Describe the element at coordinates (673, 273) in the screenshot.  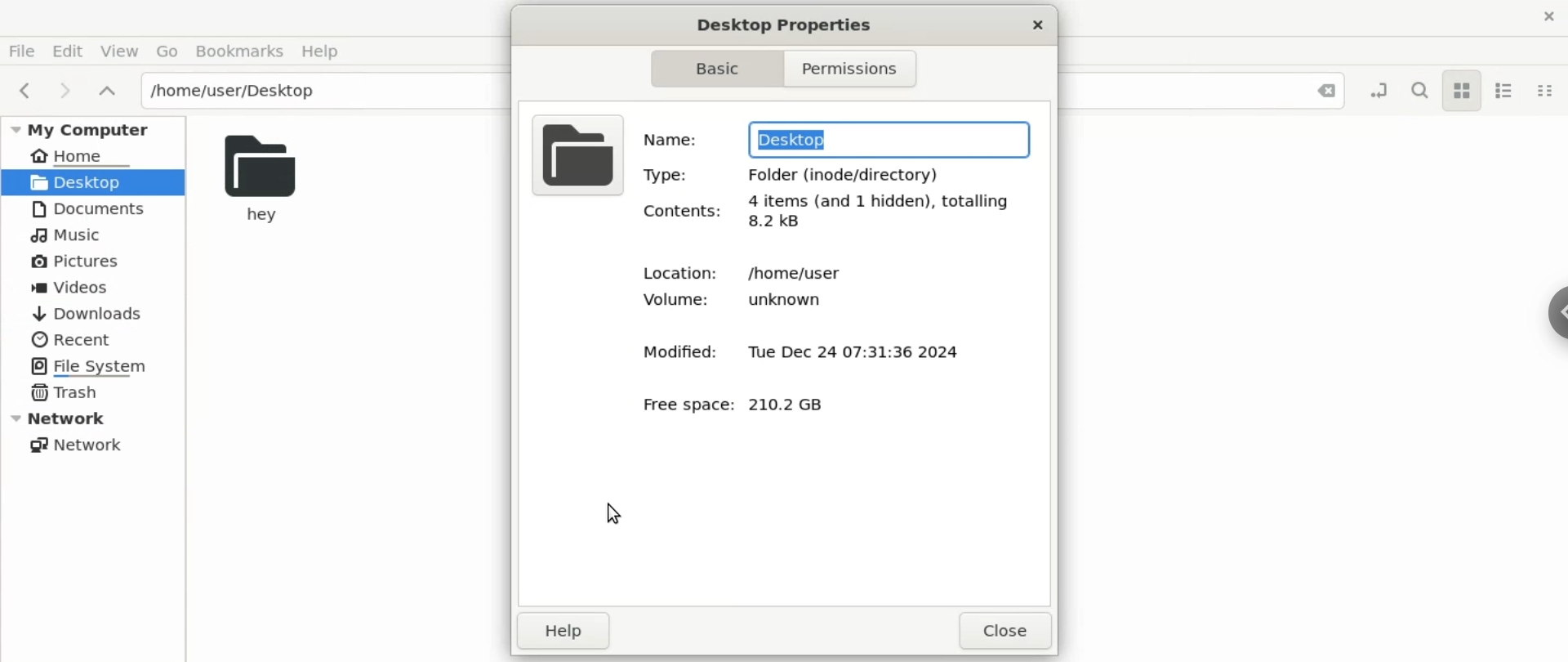
I see `location` at that location.